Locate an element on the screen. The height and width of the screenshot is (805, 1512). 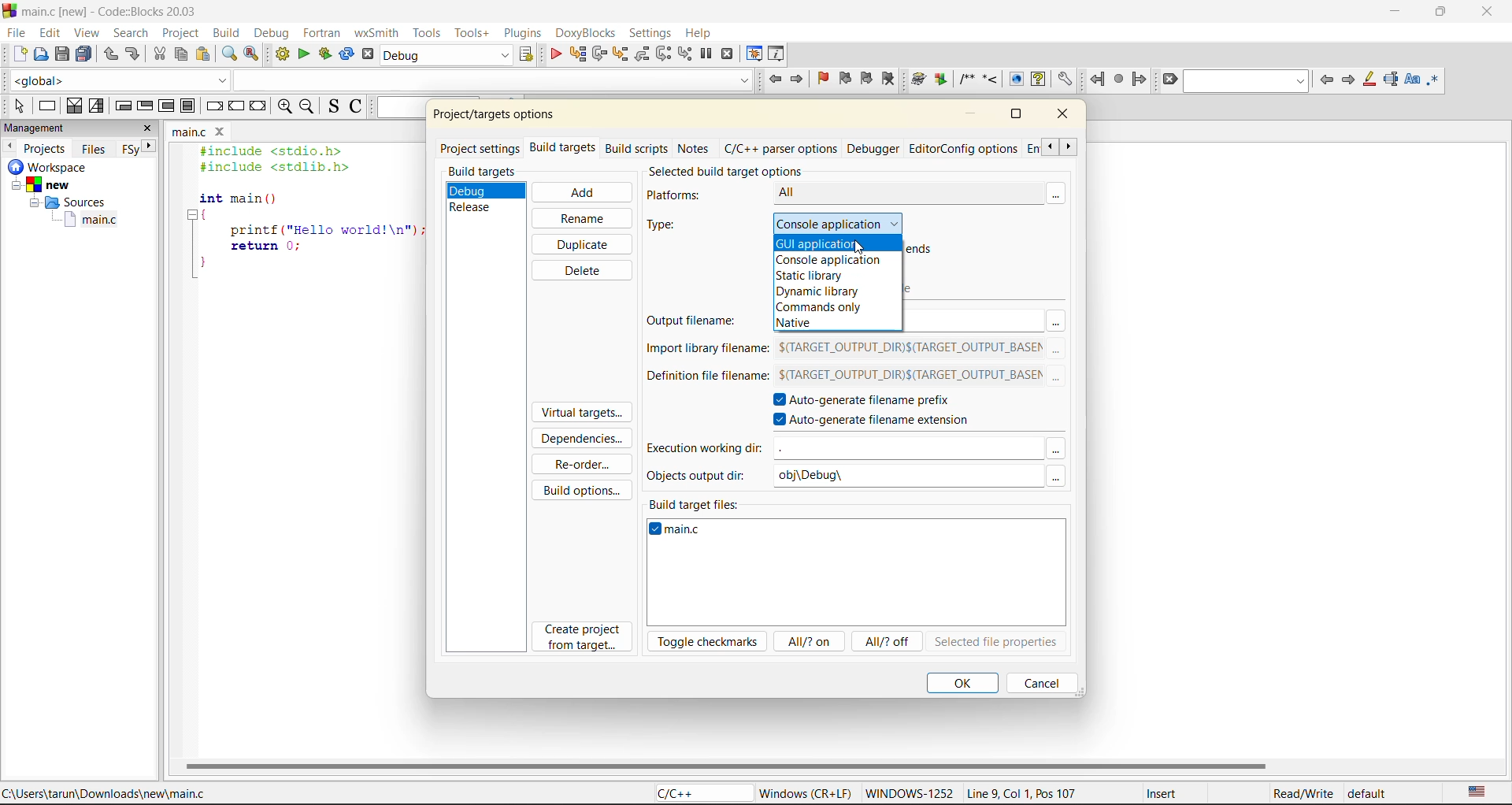
Windows (CR+LF) is located at coordinates (802, 792).